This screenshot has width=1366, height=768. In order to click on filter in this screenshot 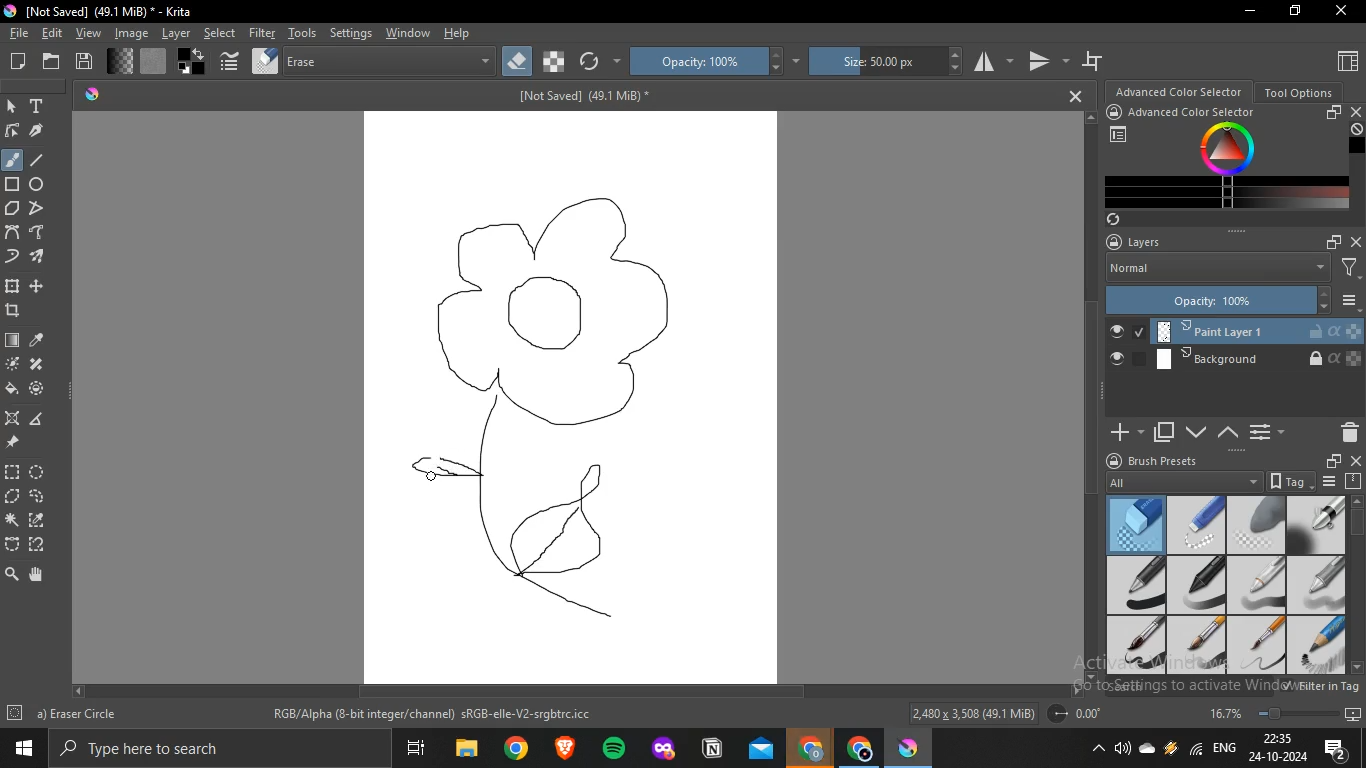, I will do `click(260, 33)`.